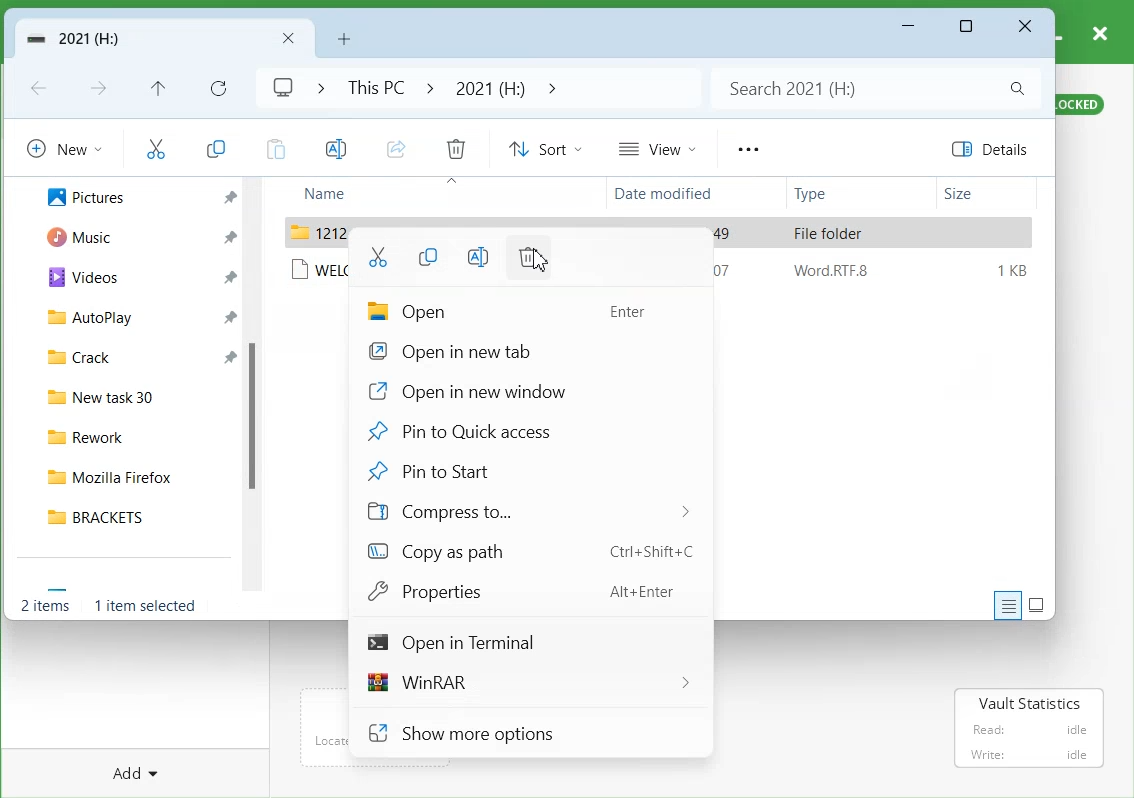 The image size is (1134, 798). What do you see at coordinates (1008, 605) in the screenshot?
I see `Display information about each item to the window` at bounding box center [1008, 605].